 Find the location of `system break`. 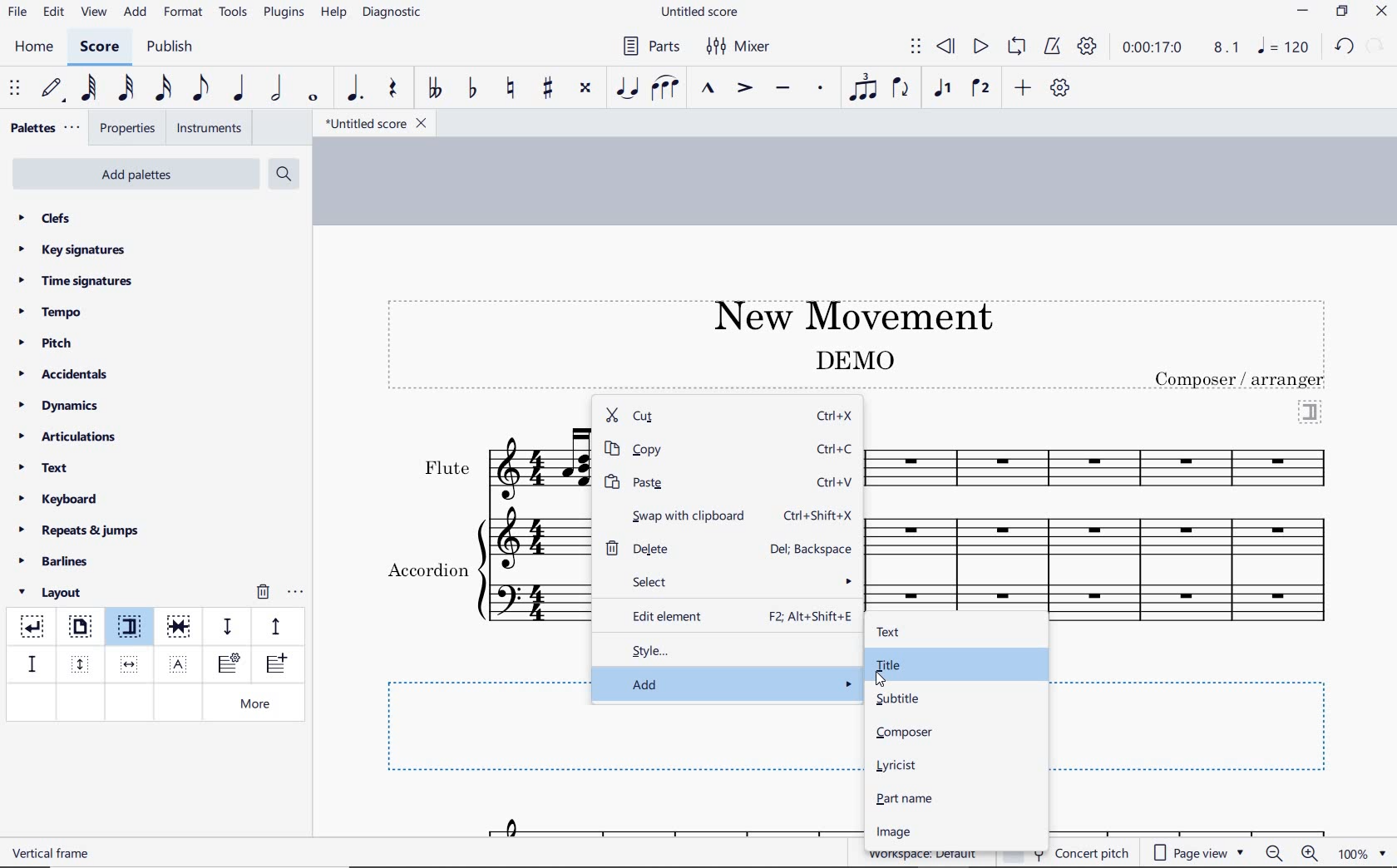

system break is located at coordinates (33, 624).